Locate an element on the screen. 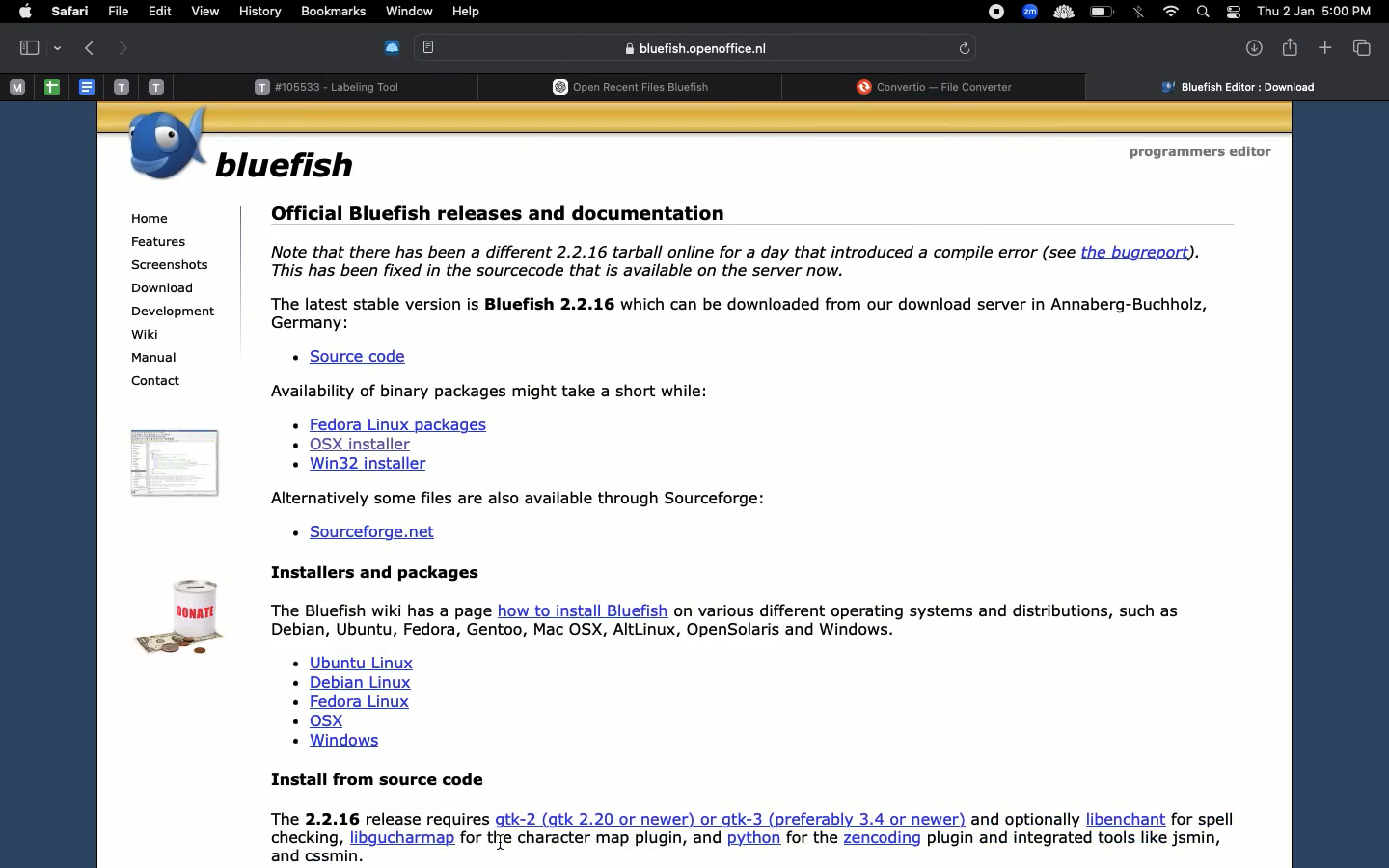 The image size is (1389, 868). programmer edit is located at coordinates (1204, 152).